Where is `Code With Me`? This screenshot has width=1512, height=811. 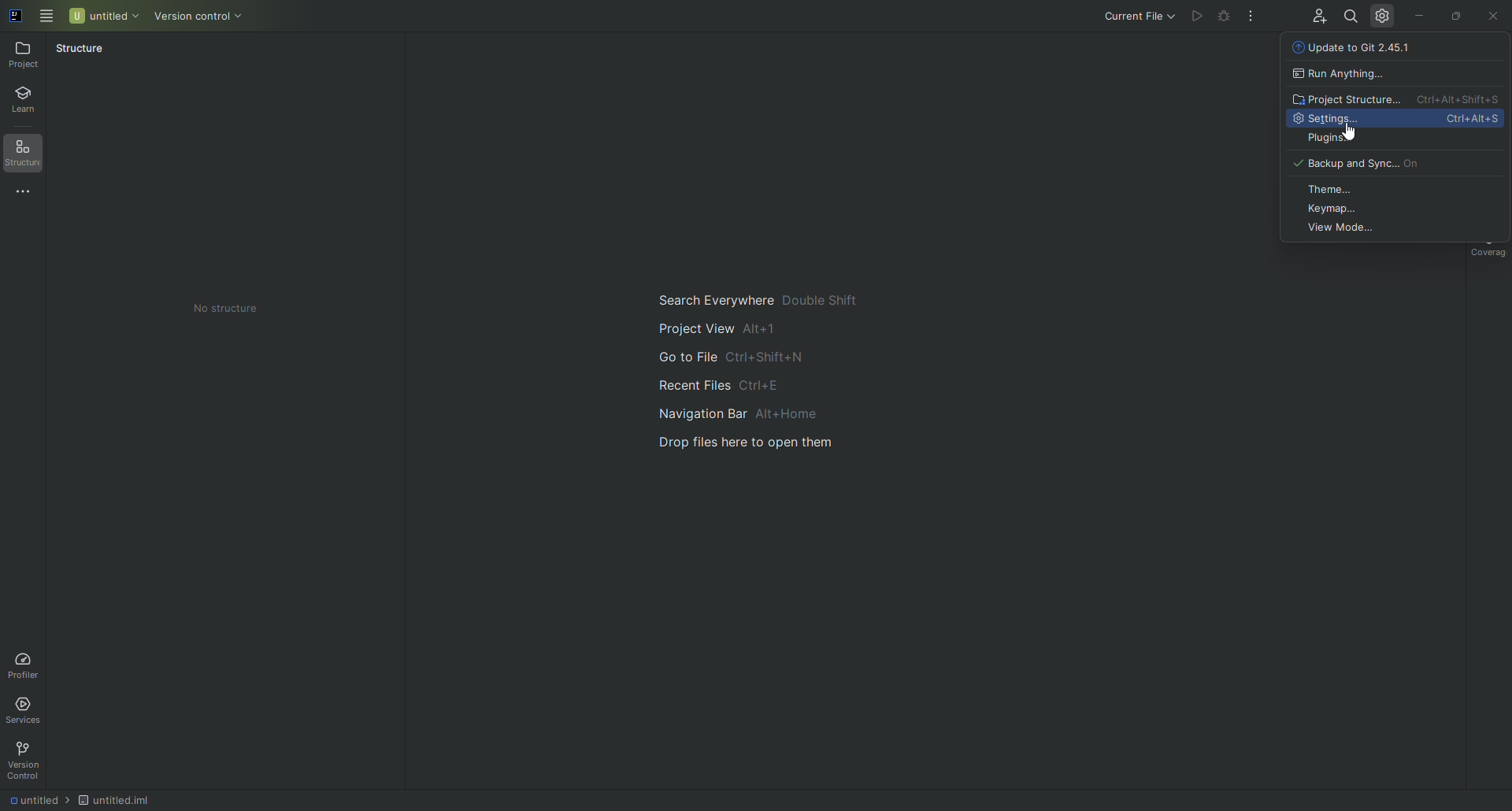 Code With Me is located at coordinates (1316, 17).